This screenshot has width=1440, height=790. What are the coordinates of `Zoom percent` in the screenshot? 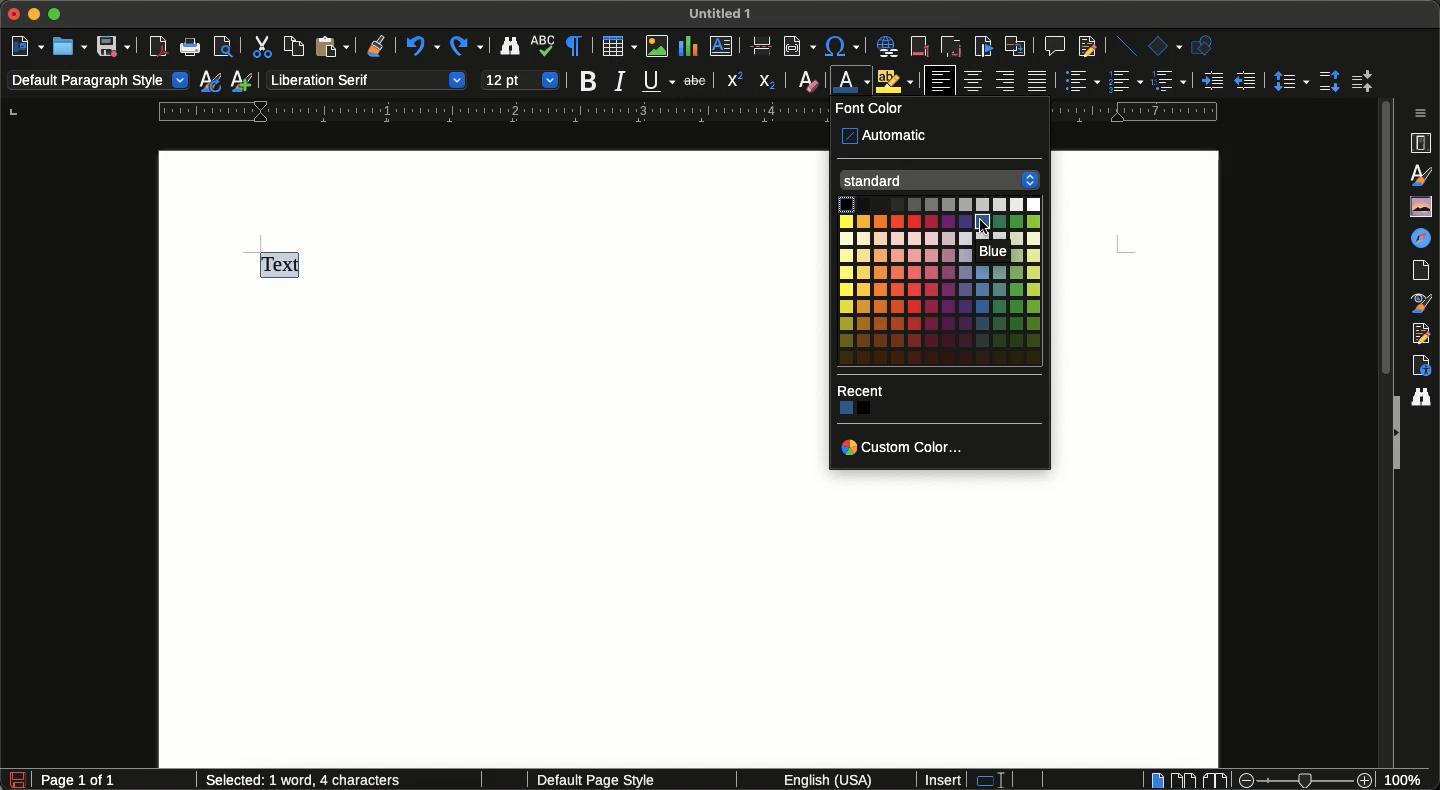 It's located at (1410, 780).